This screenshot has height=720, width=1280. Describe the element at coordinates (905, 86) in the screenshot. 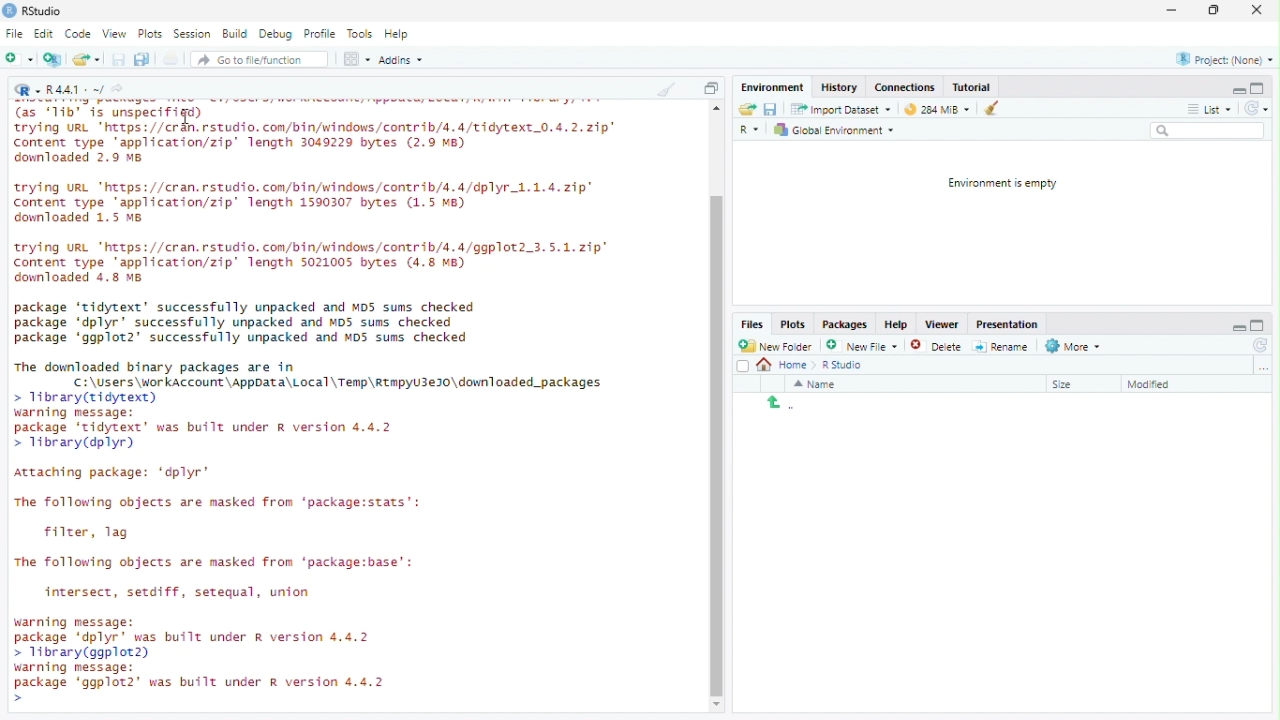

I see `Connections` at that location.